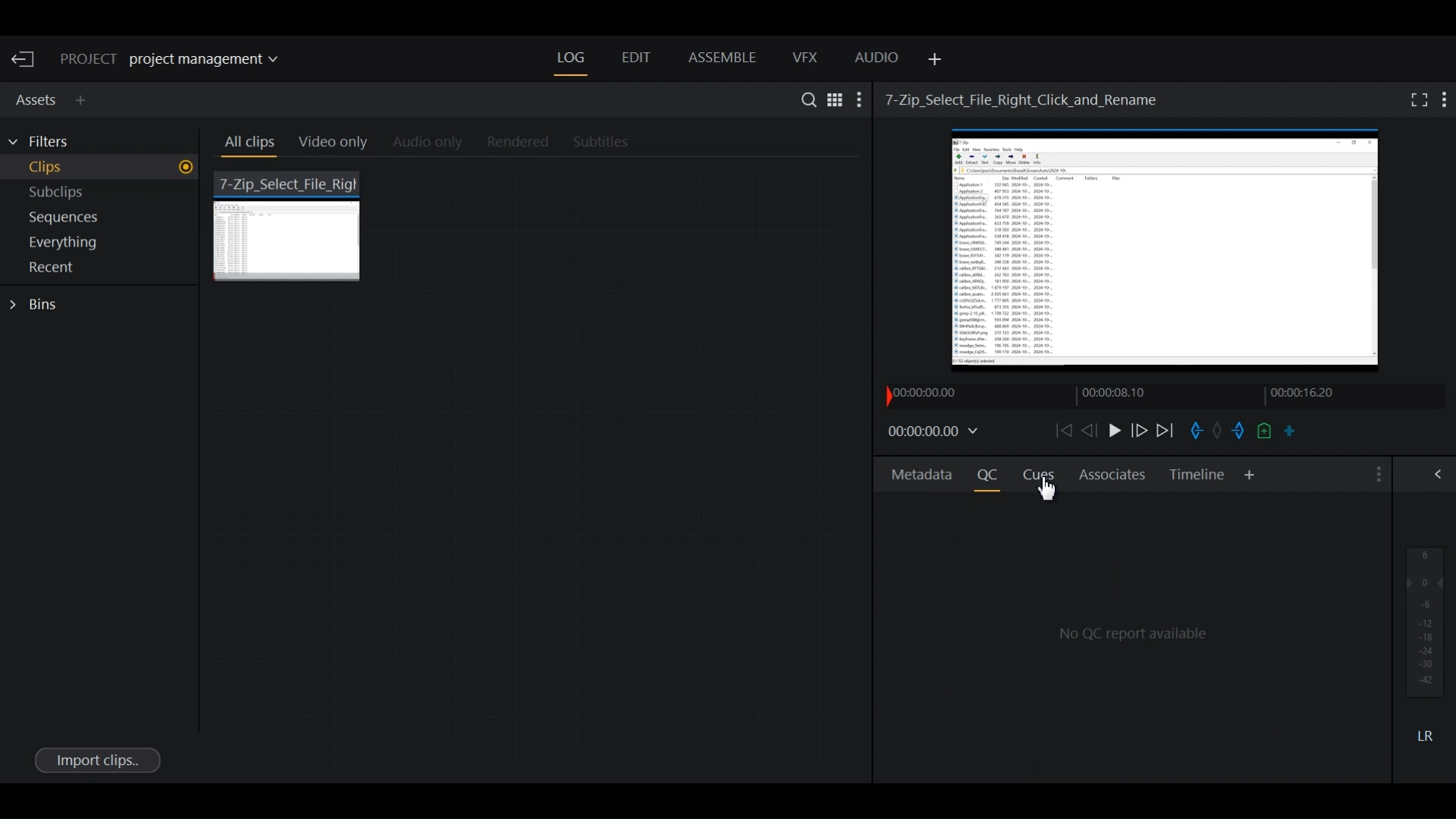 This screenshot has height=819, width=1456. Describe the element at coordinates (432, 143) in the screenshot. I see `Audio Only` at that location.